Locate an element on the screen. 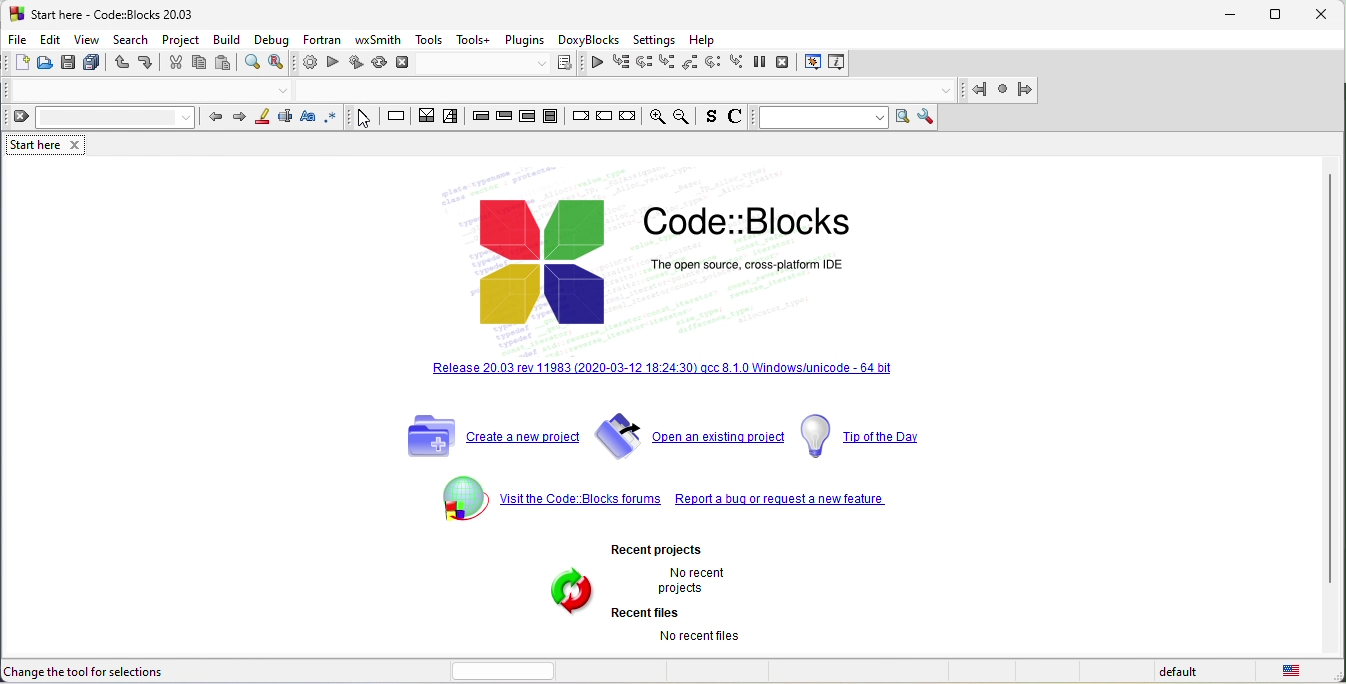  open an existing project is located at coordinates (692, 435).